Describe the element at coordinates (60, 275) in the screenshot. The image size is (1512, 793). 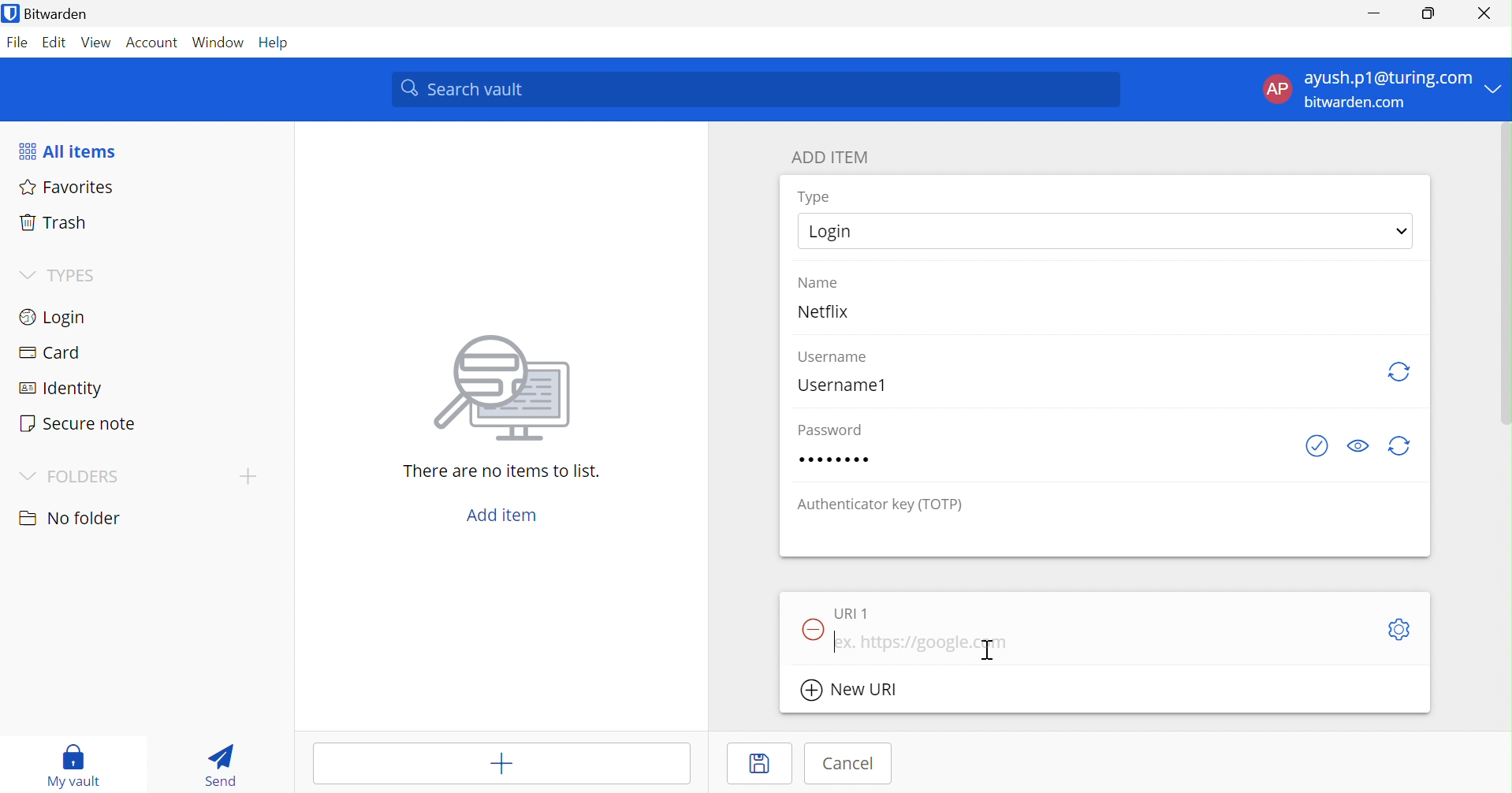
I see `TYPES` at that location.